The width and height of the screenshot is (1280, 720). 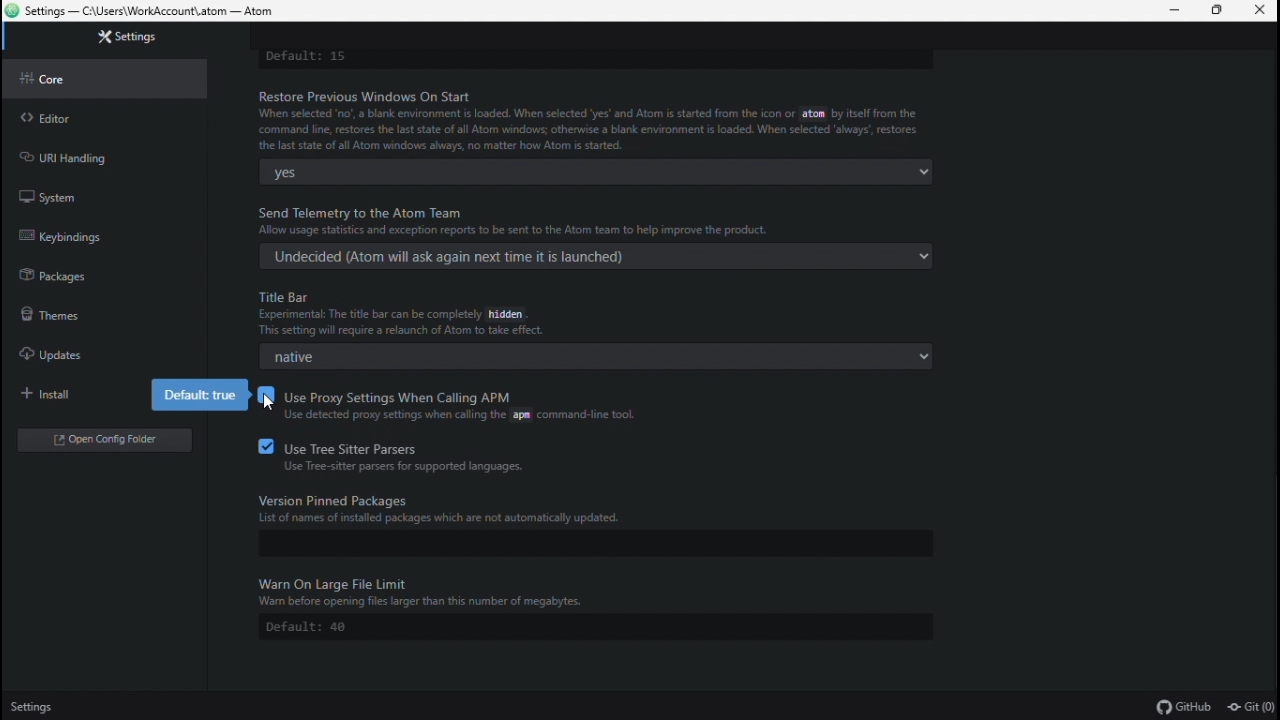 I want to click on install, so click(x=75, y=396).